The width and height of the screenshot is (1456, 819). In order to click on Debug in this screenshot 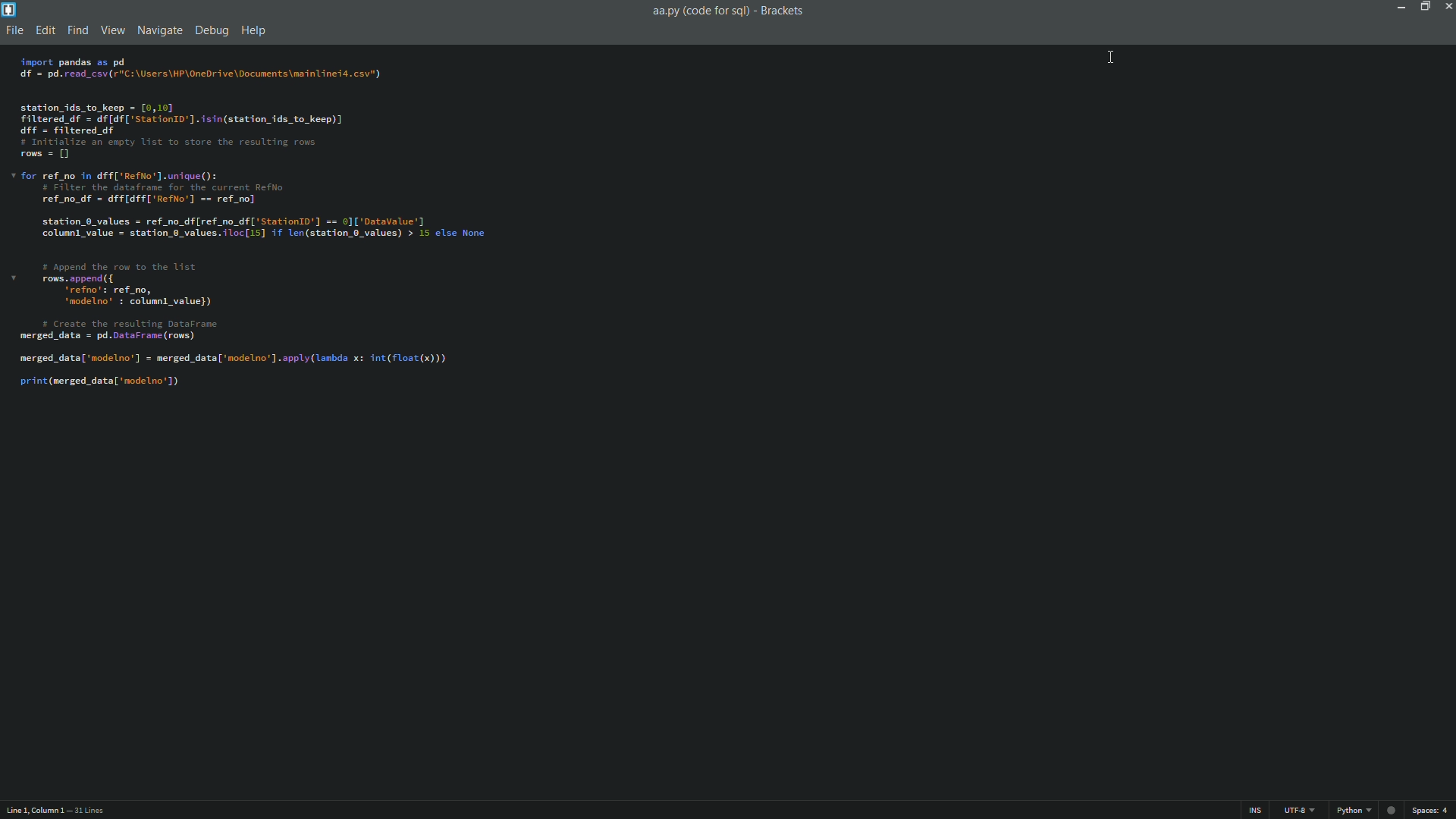, I will do `click(212, 31)`.